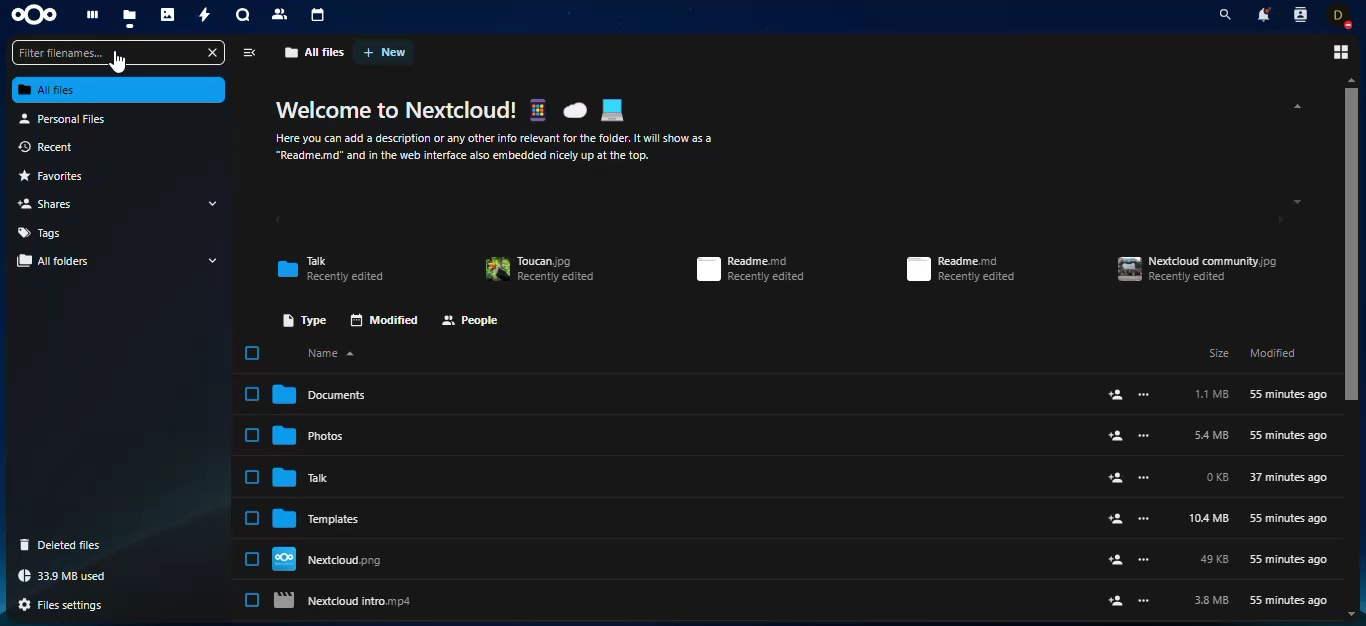  What do you see at coordinates (315, 52) in the screenshot?
I see `all files` at bounding box center [315, 52].